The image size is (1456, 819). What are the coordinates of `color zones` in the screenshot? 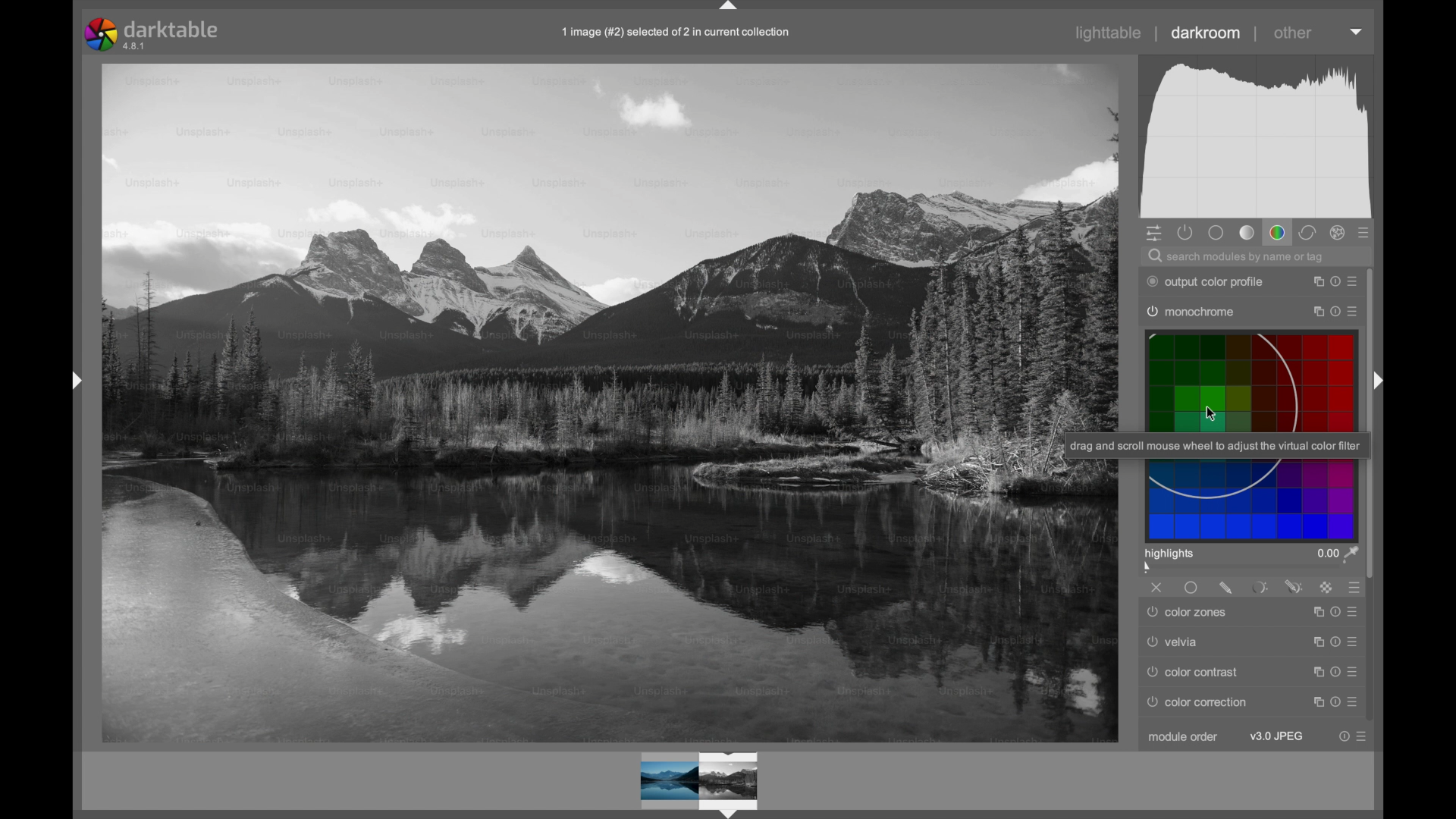 It's located at (1189, 613).